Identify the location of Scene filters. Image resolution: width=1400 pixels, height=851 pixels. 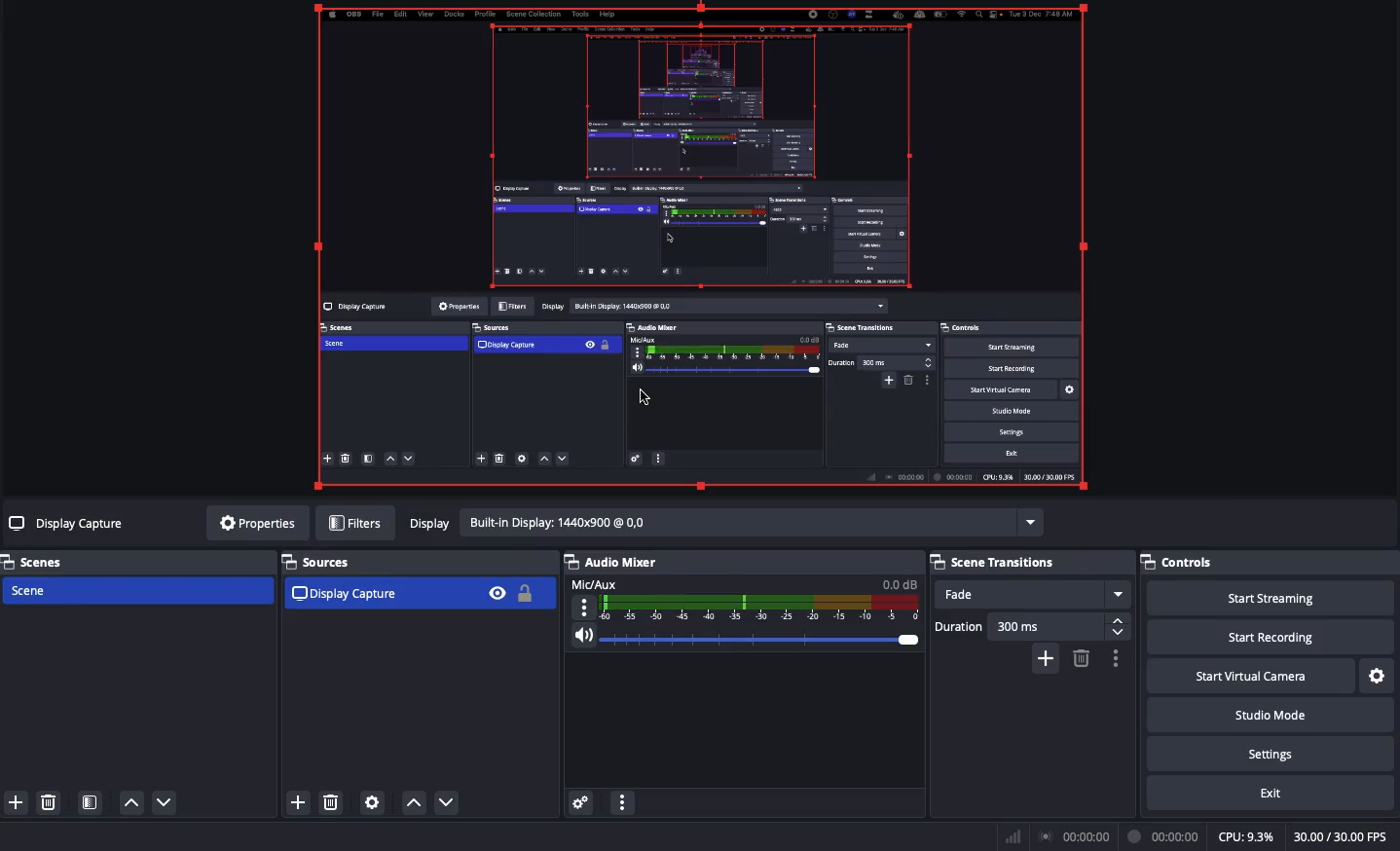
(90, 801).